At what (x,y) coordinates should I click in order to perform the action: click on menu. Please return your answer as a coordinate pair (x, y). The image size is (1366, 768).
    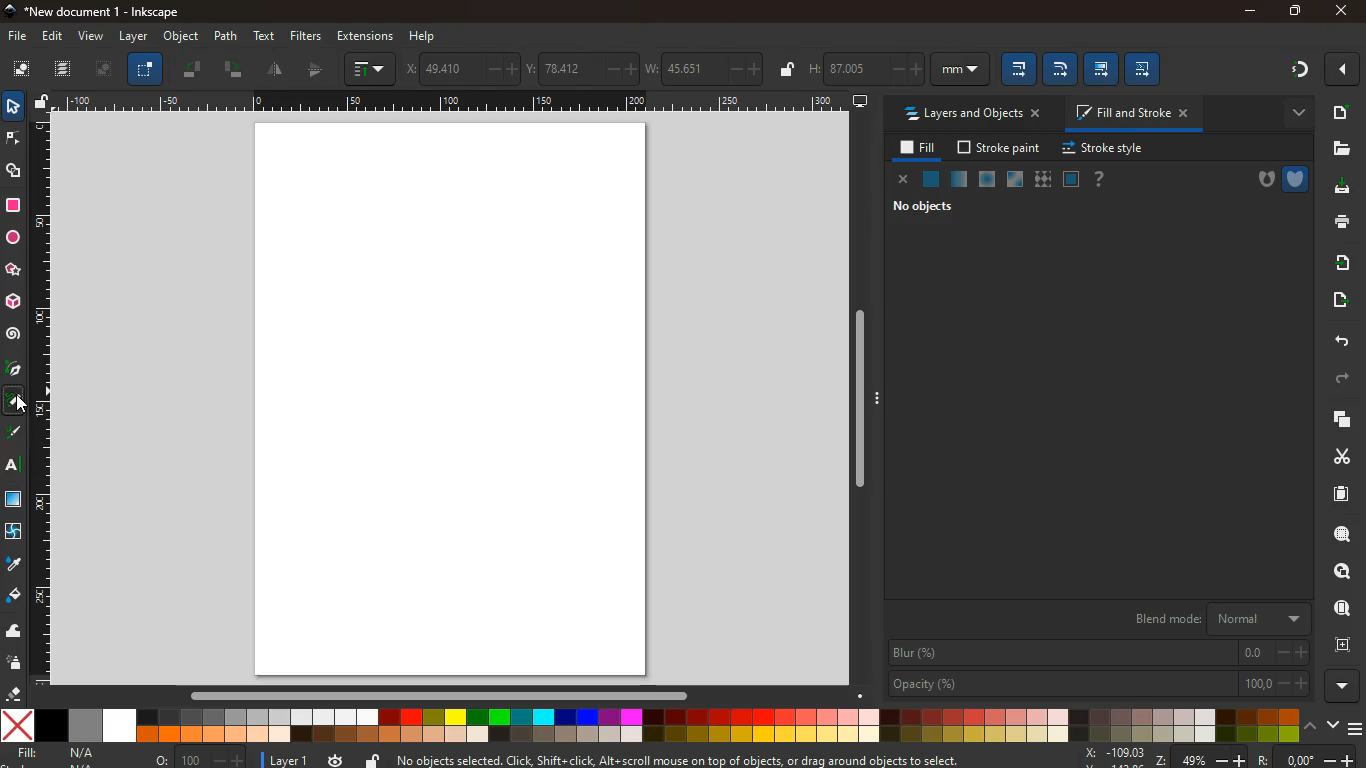
    Looking at the image, I should click on (1357, 729).